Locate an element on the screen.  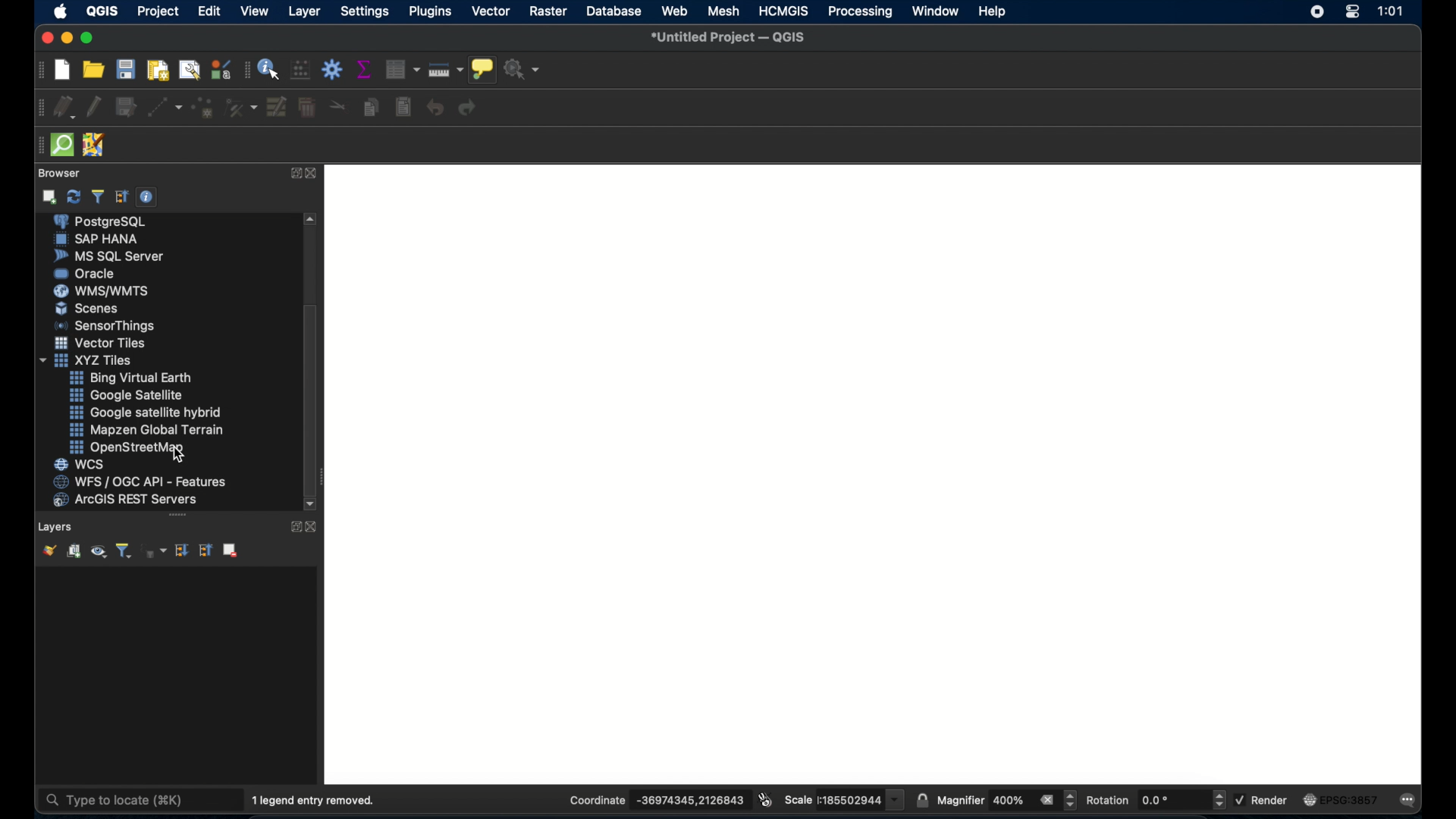
enable/disable properties widget is located at coordinates (146, 196).